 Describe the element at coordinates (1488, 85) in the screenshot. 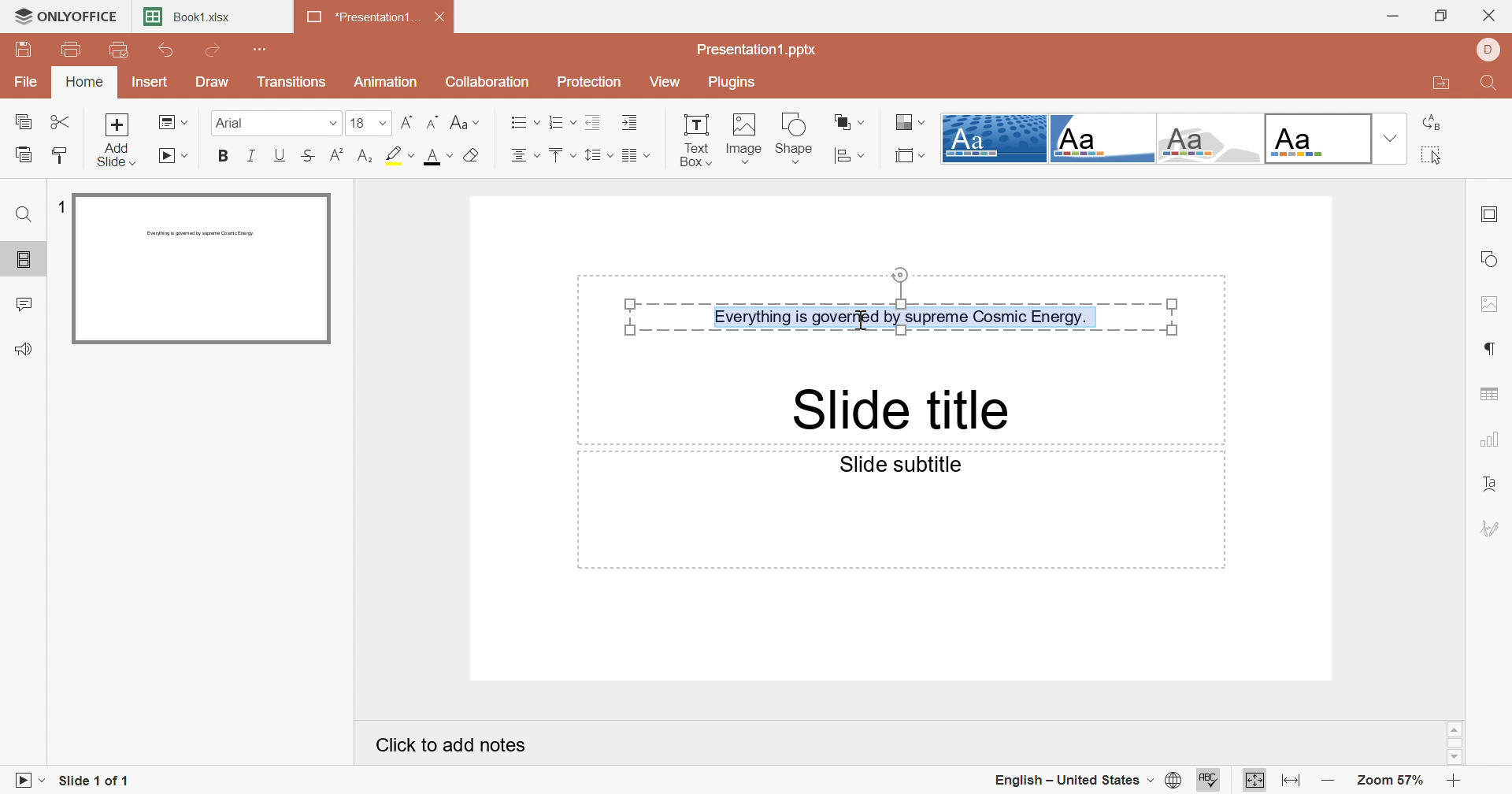

I see `Find` at that location.